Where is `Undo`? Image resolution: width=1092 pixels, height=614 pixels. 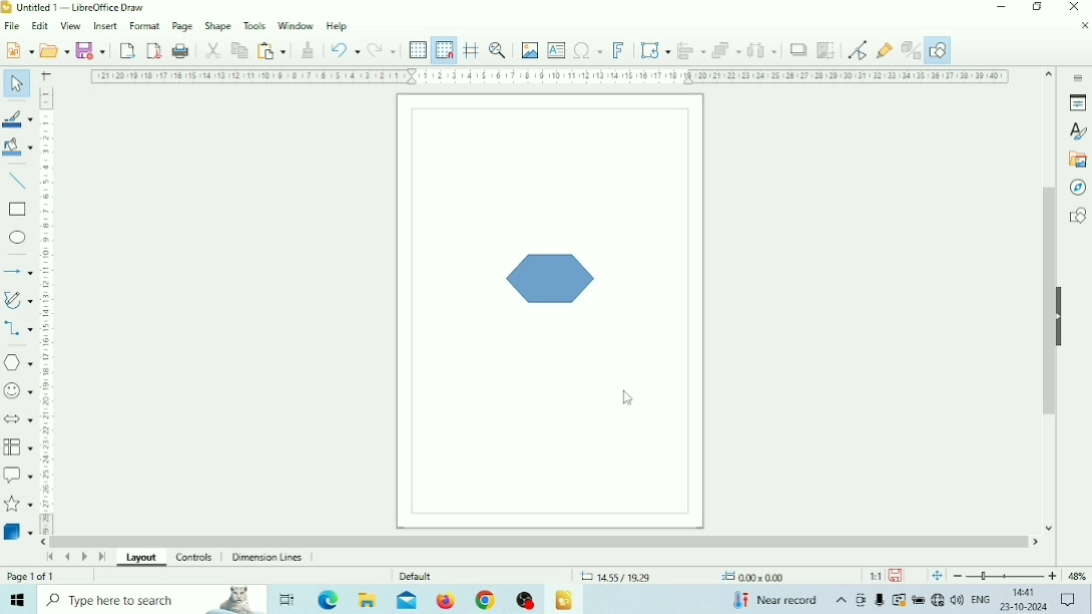
Undo is located at coordinates (345, 50).